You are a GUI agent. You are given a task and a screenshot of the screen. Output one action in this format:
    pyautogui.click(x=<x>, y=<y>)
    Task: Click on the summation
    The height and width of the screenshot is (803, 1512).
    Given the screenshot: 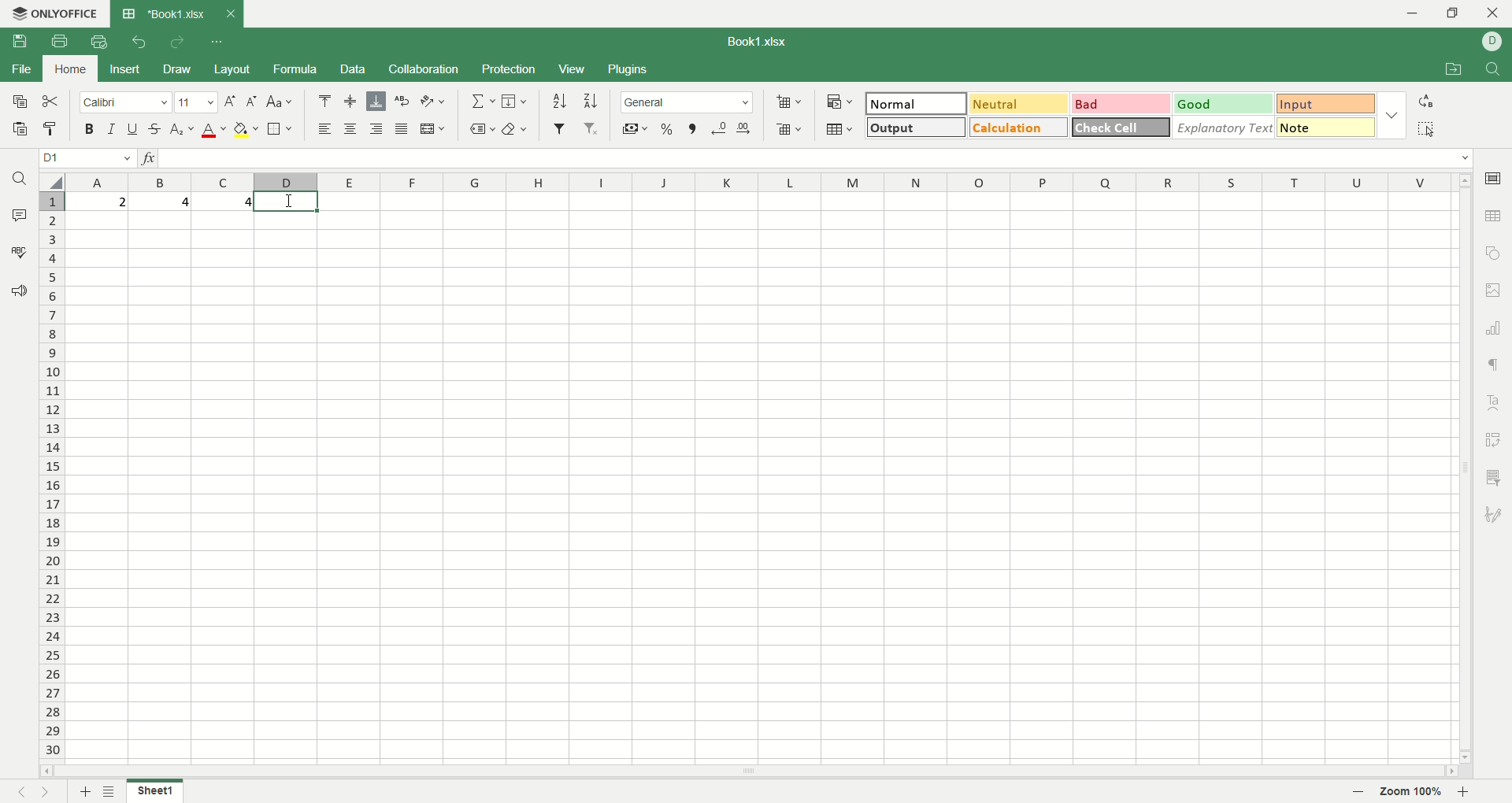 What is the action you would take?
    pyautogui.click(x=480, y=102)
    